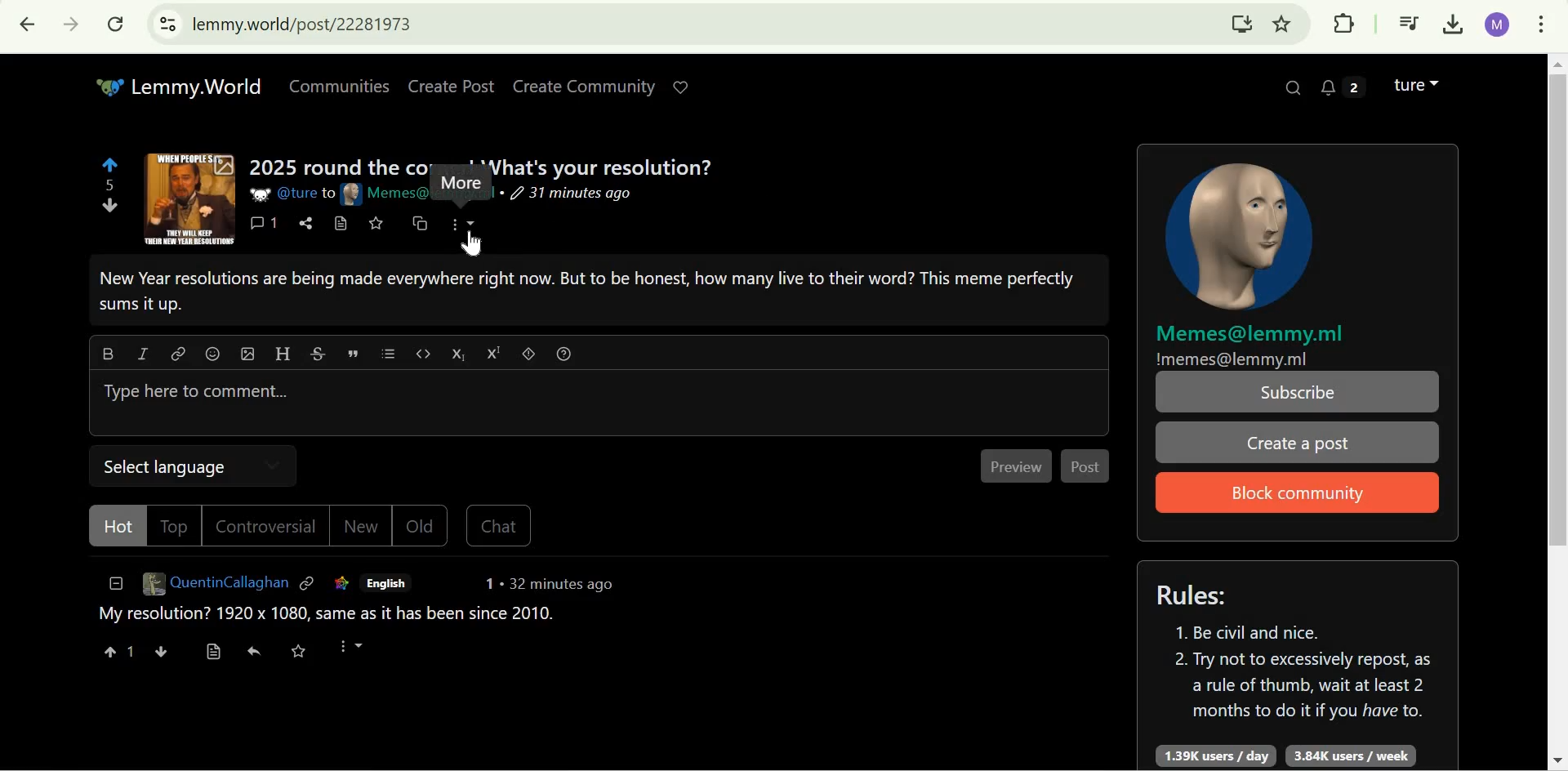  Describe the element at coordinates (363, 528) in the screenshot. I see `New` at that location.